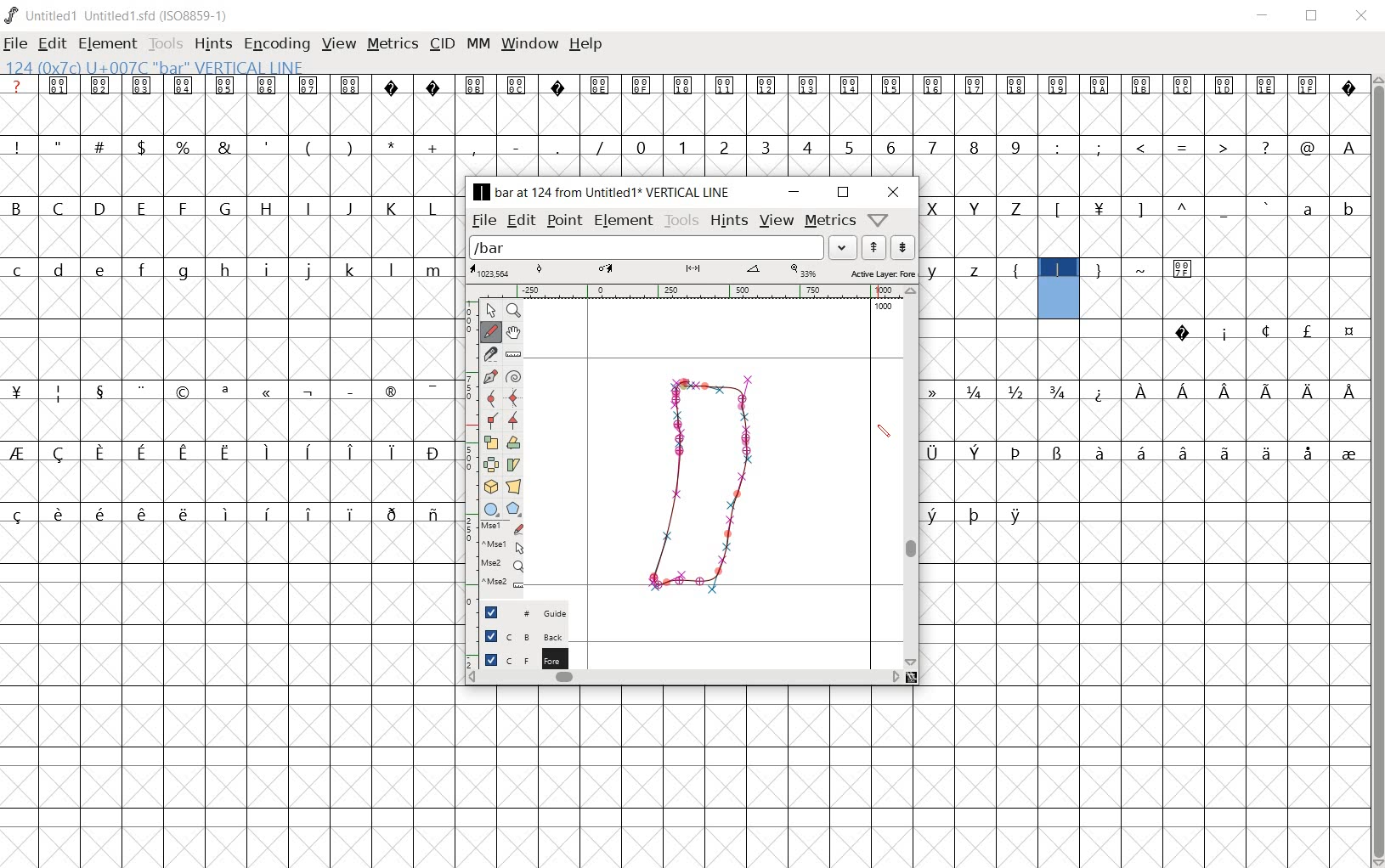 Image resolution: width=1385 pixels, height=868 pixels. I want to click on special symbols, so click(1257, 332).